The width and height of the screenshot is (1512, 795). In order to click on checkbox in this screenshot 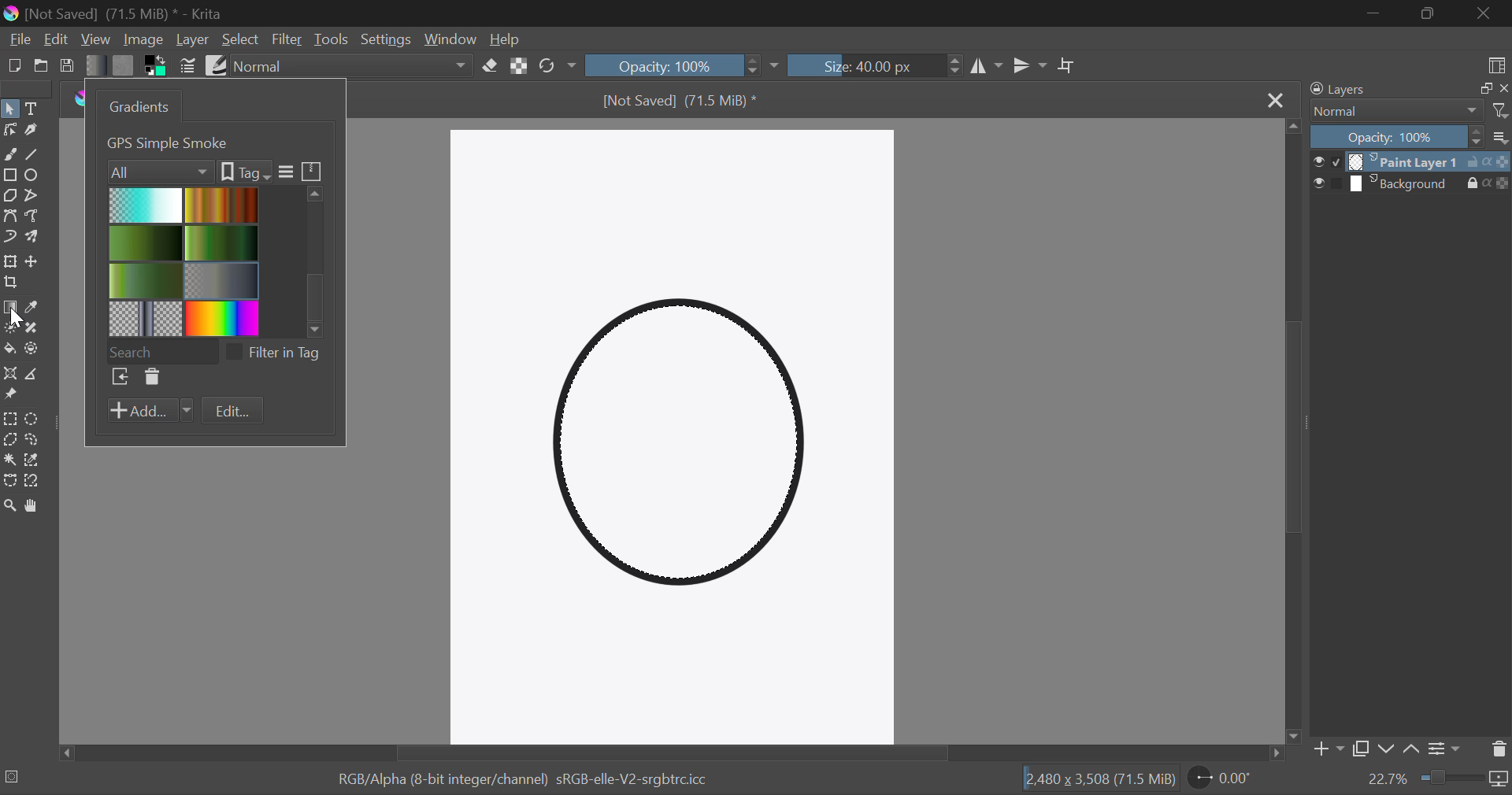, I will do `click(1329, 183)`.